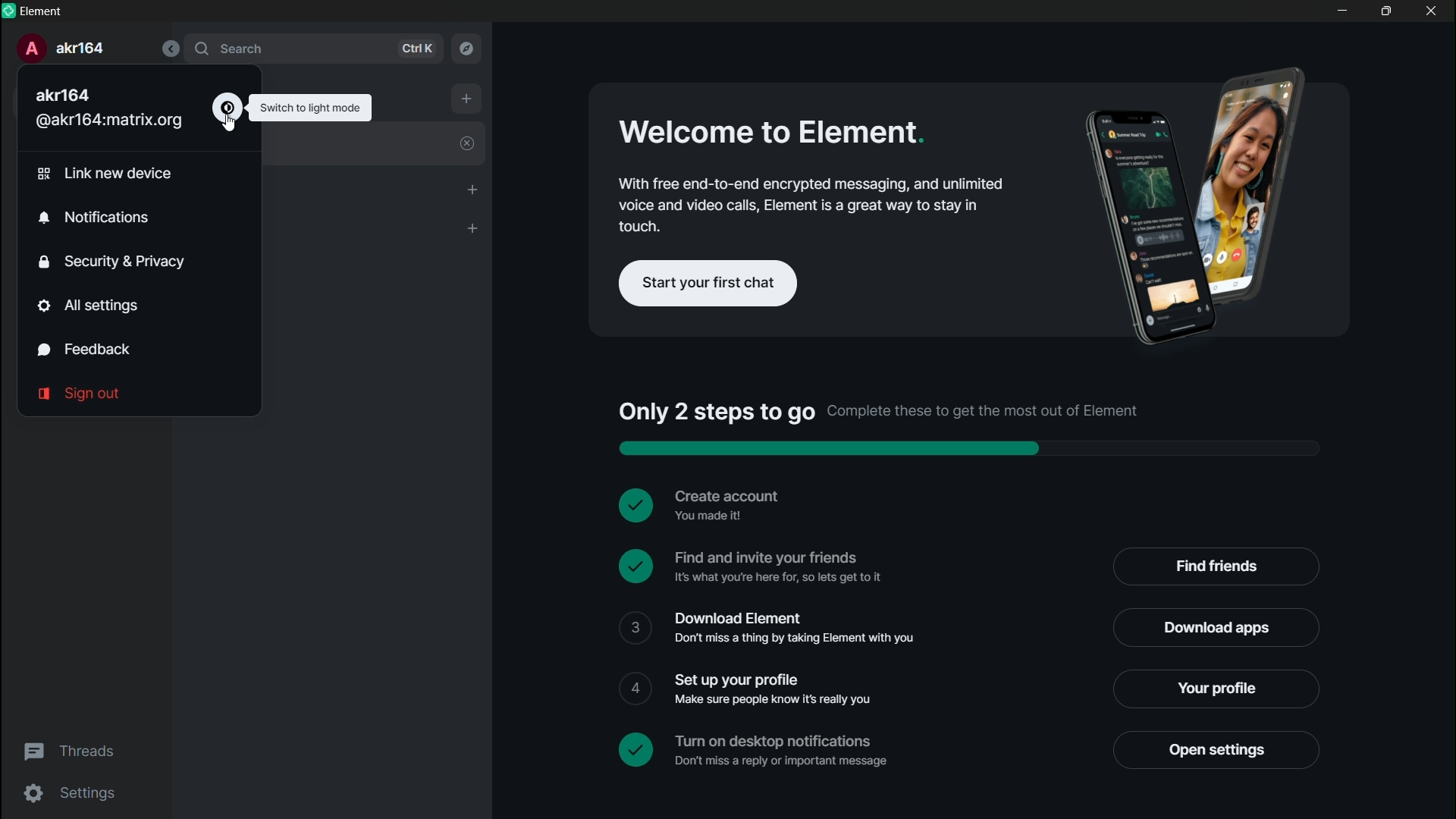  Describe the element at coordinates (880, 413) in the screenshot. I see `Only two steps to go complete these to get the most out of element` at that location.